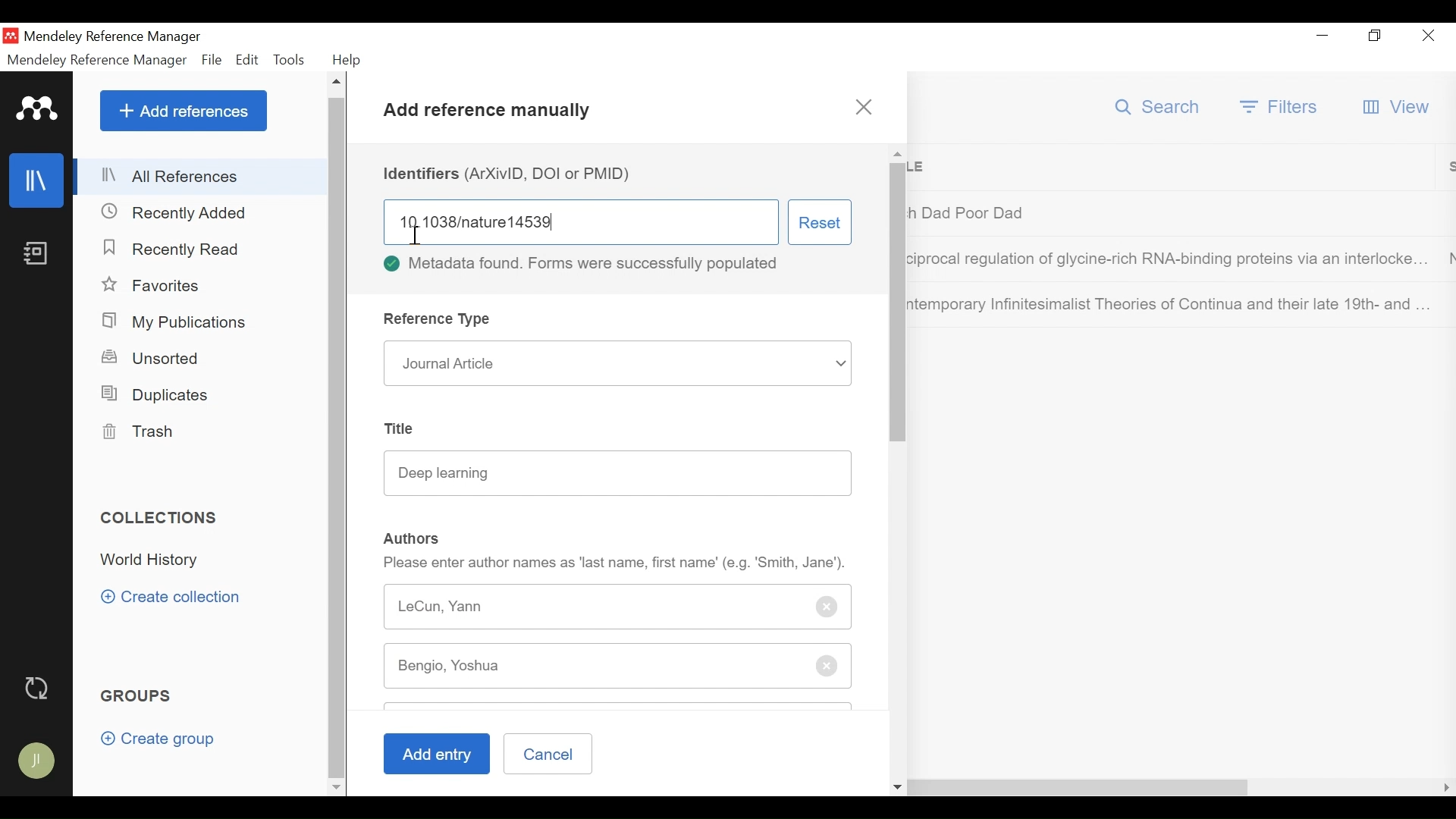 This screenshot has width=1456, height=819. Describe the element at coordinates (247, 59) in the screenshot. I see `Edit ` at that location.